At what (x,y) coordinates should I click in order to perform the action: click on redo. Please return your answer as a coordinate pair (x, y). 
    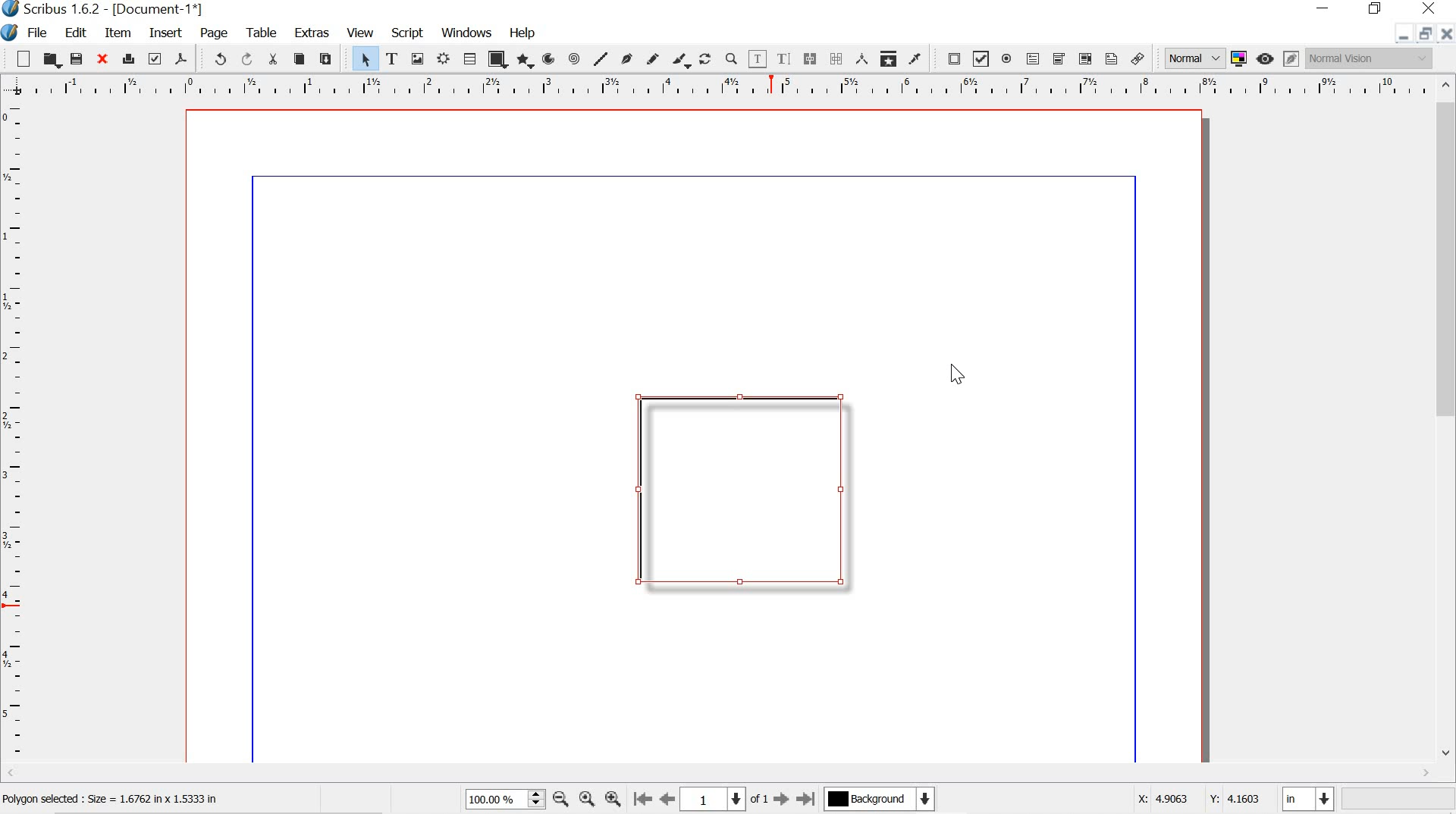
    Looking at the image, I should click on (246, 58).